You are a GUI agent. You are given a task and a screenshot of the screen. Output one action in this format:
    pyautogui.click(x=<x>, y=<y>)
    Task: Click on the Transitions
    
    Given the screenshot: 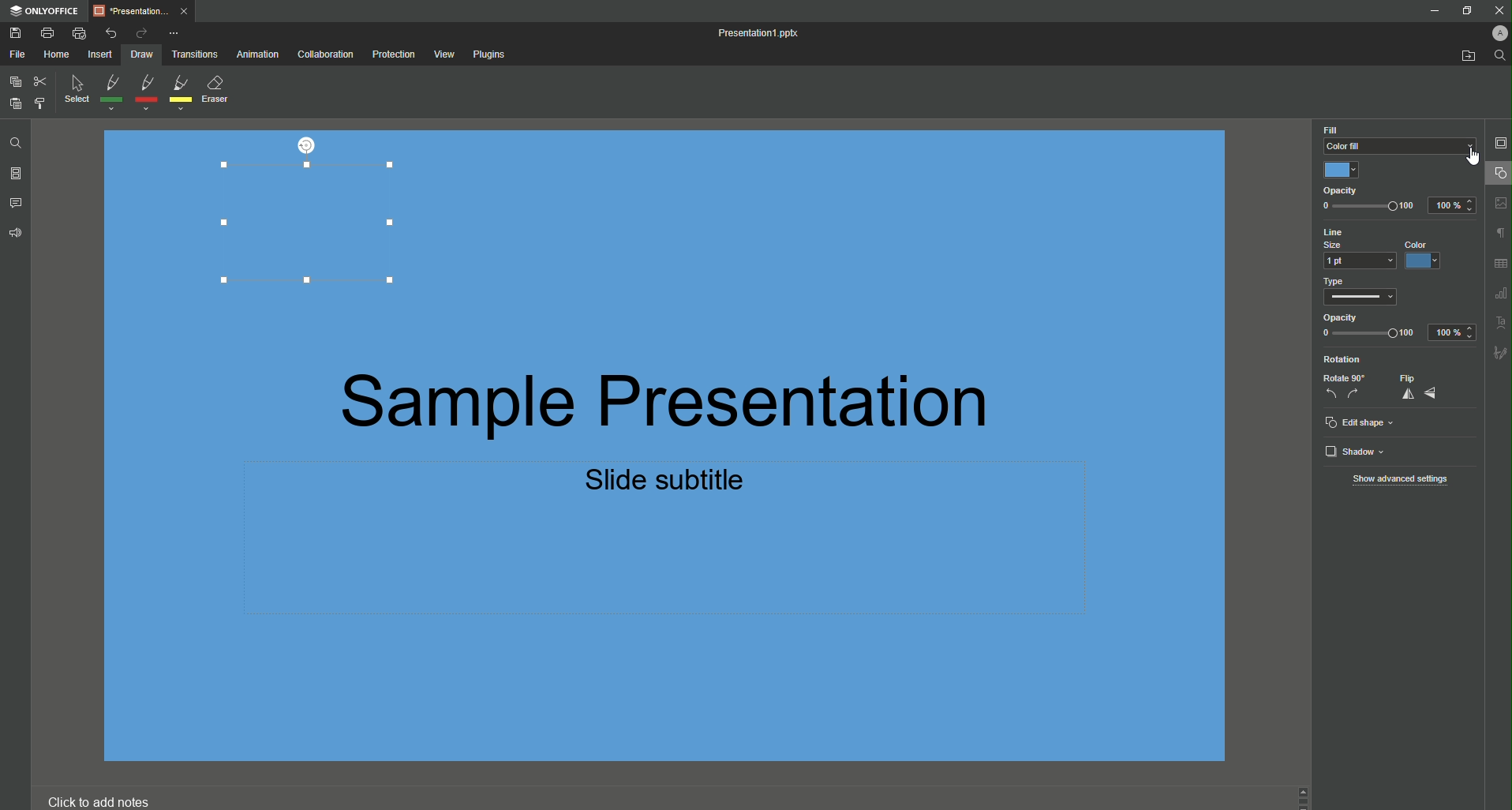 What is the action you would take?
    pyautogui.click(x=197, y=55)
    